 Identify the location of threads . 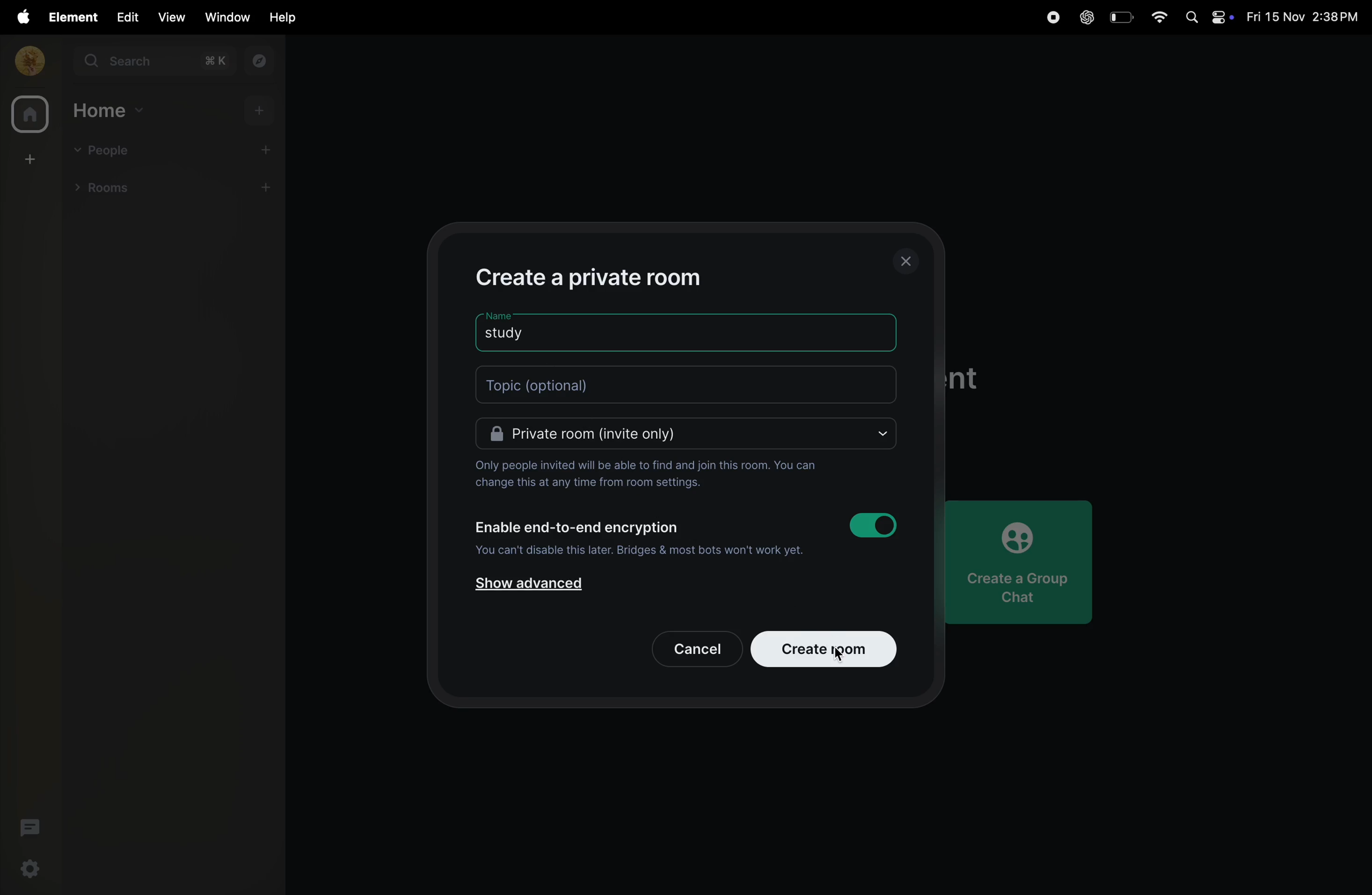
(29, 826).